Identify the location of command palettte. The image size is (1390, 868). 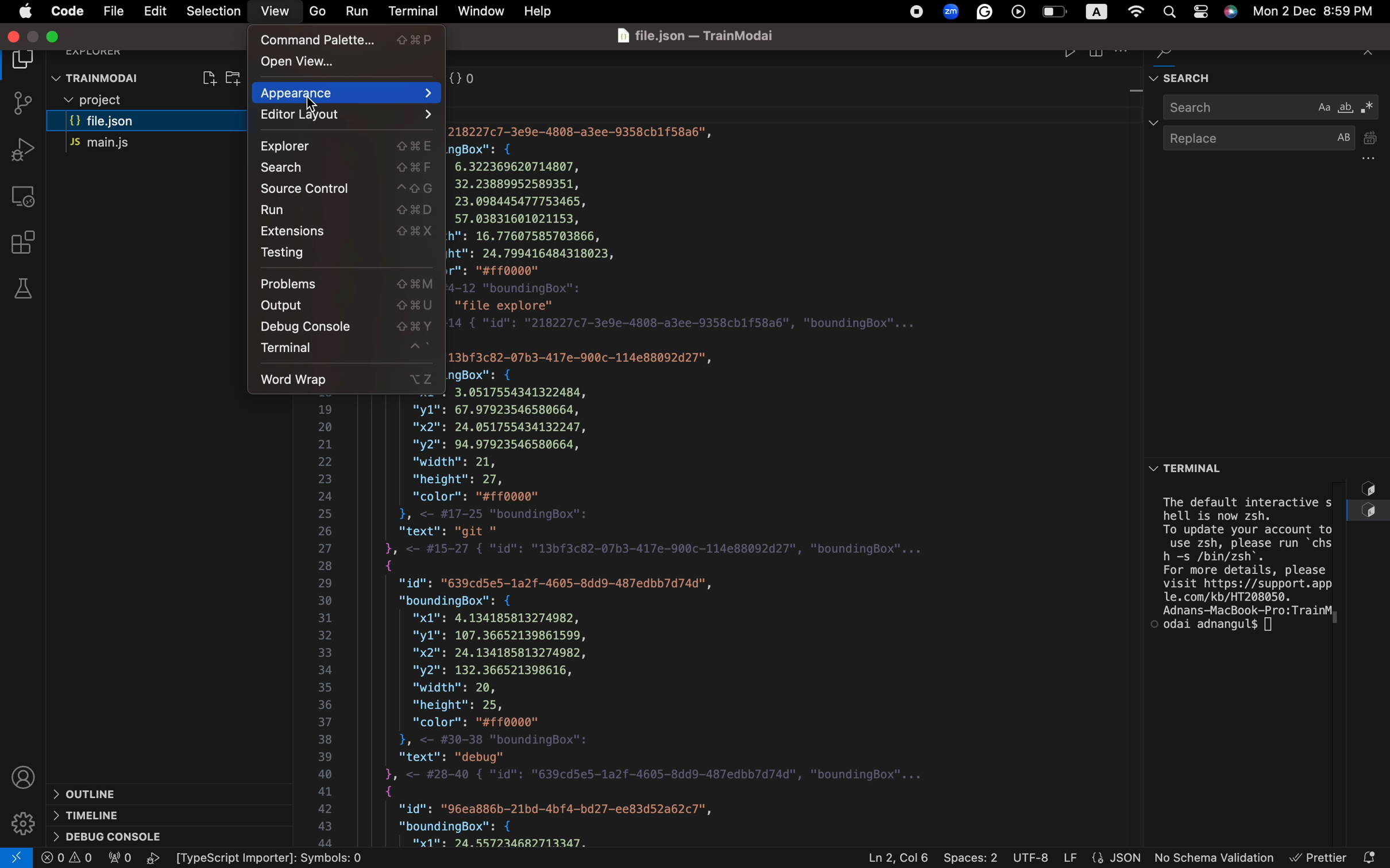
(349, 40).